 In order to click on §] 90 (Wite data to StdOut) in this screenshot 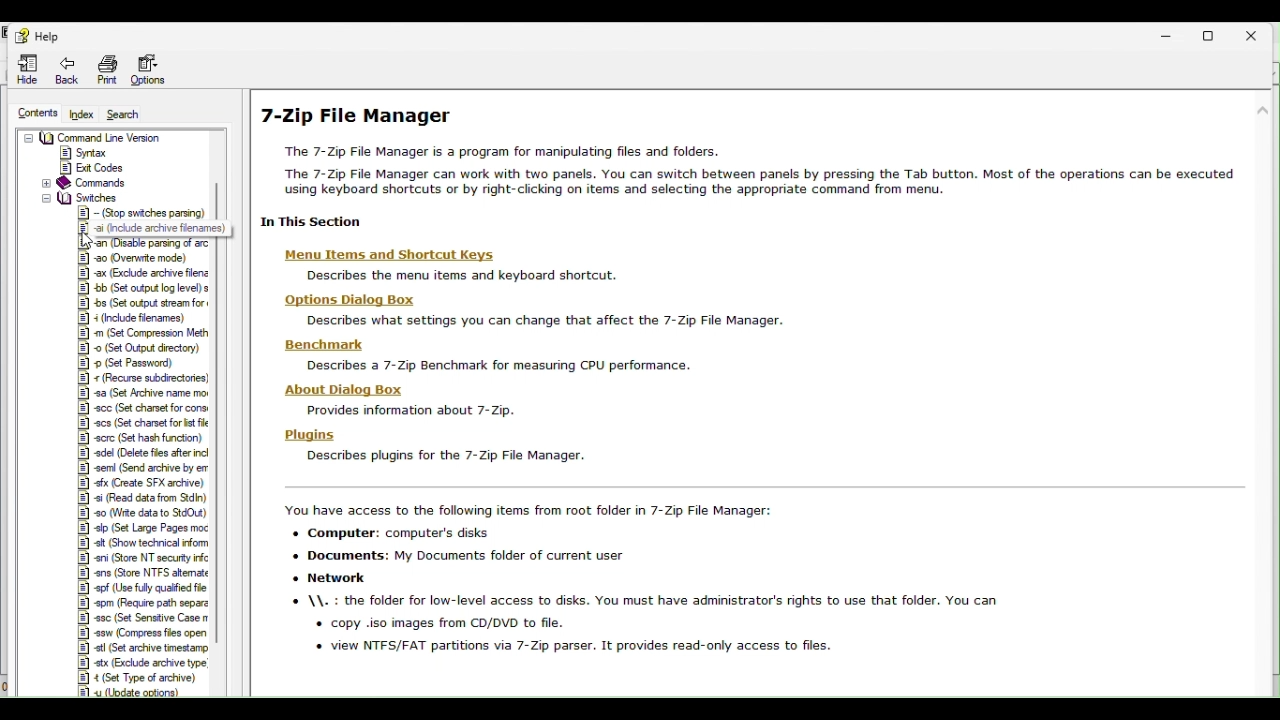, I will do `click(145, 512)`.